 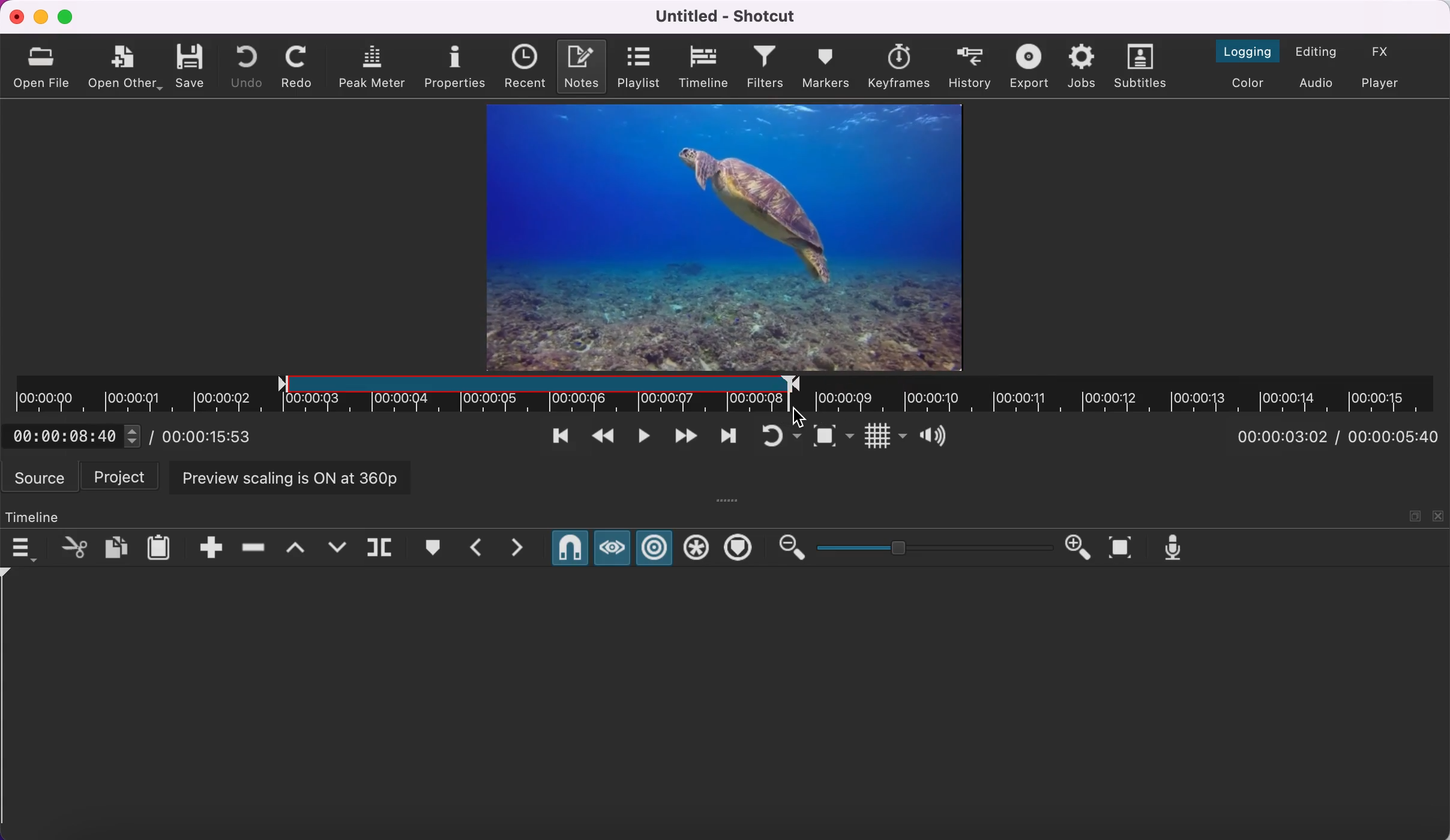 What do you see at coordinates (723, 237) in the screenshot?
I see `clip` at bounding box center [723, 237].